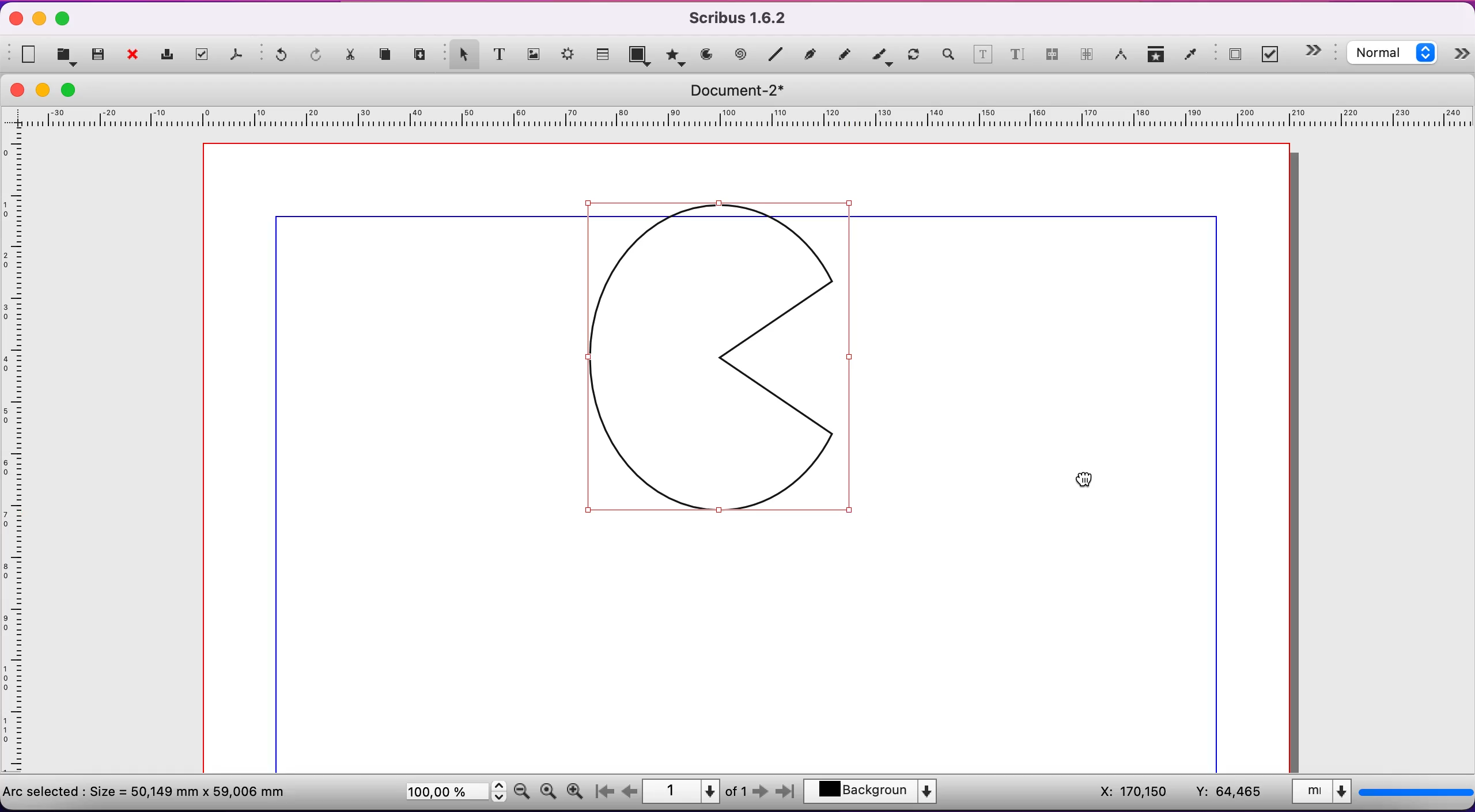 The image size is (1475, 812). Describe the element at coordinates (461, 53) in the screenshot. I see `select item` at that location.